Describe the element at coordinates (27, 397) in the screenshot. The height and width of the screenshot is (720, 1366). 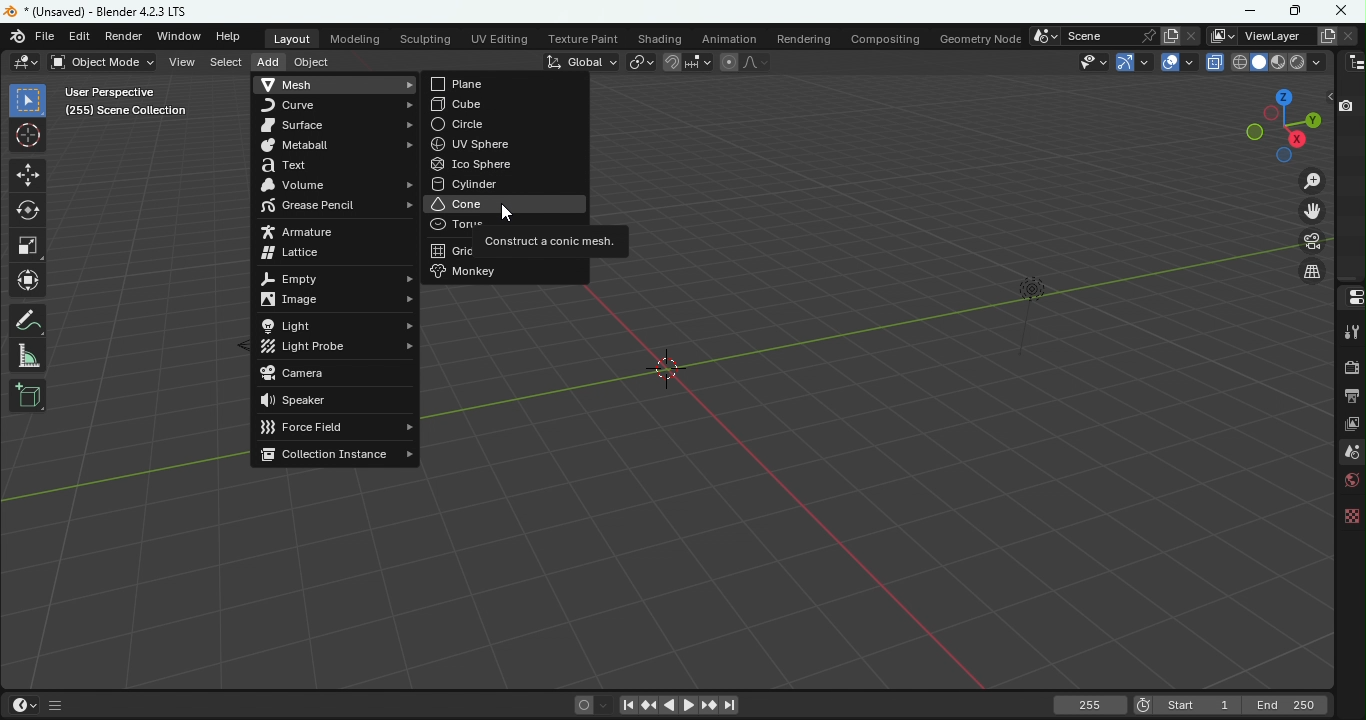
I see `Add cube` at that location.